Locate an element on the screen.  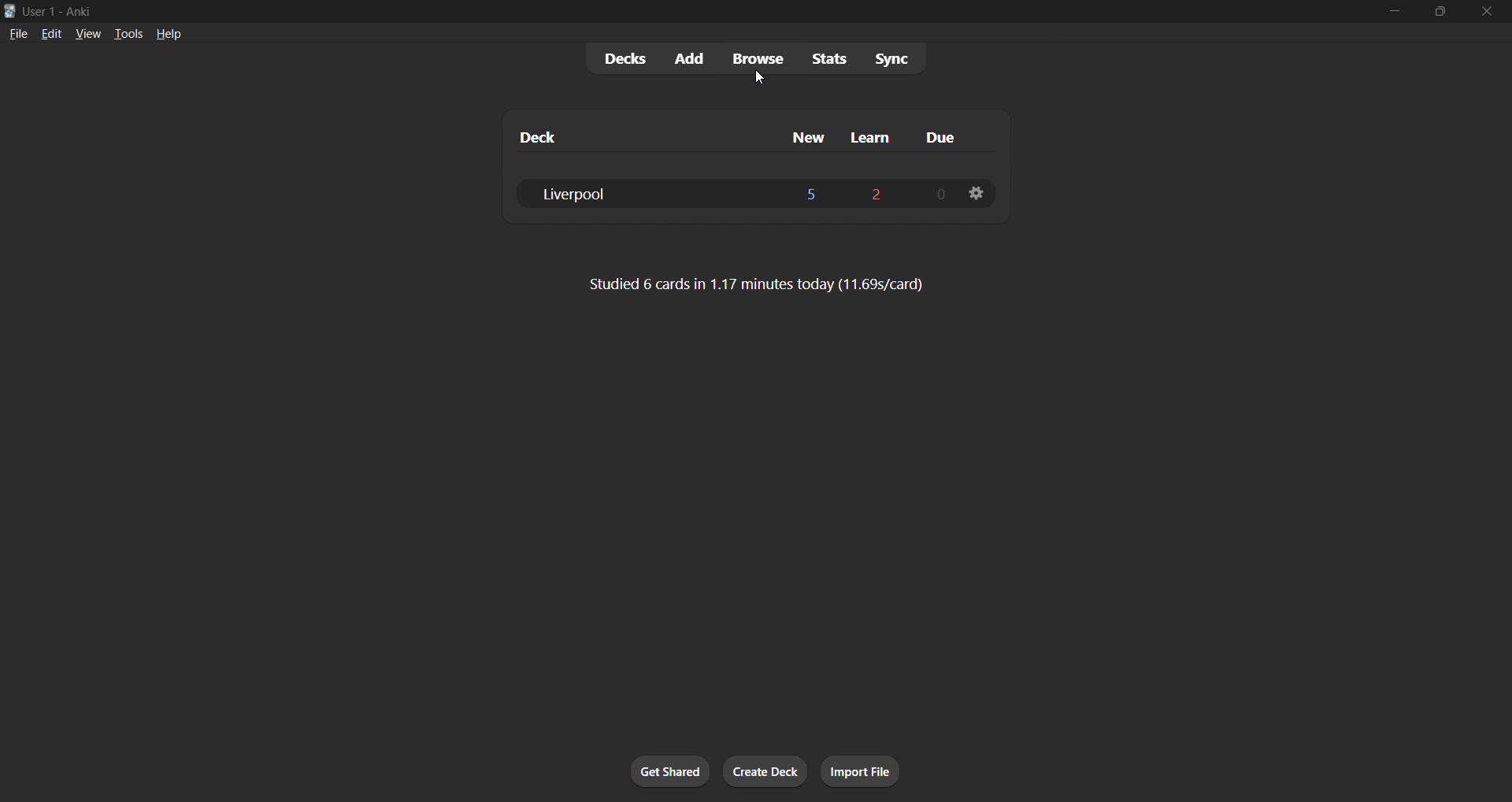
stats is located at coordinates (828, 60).